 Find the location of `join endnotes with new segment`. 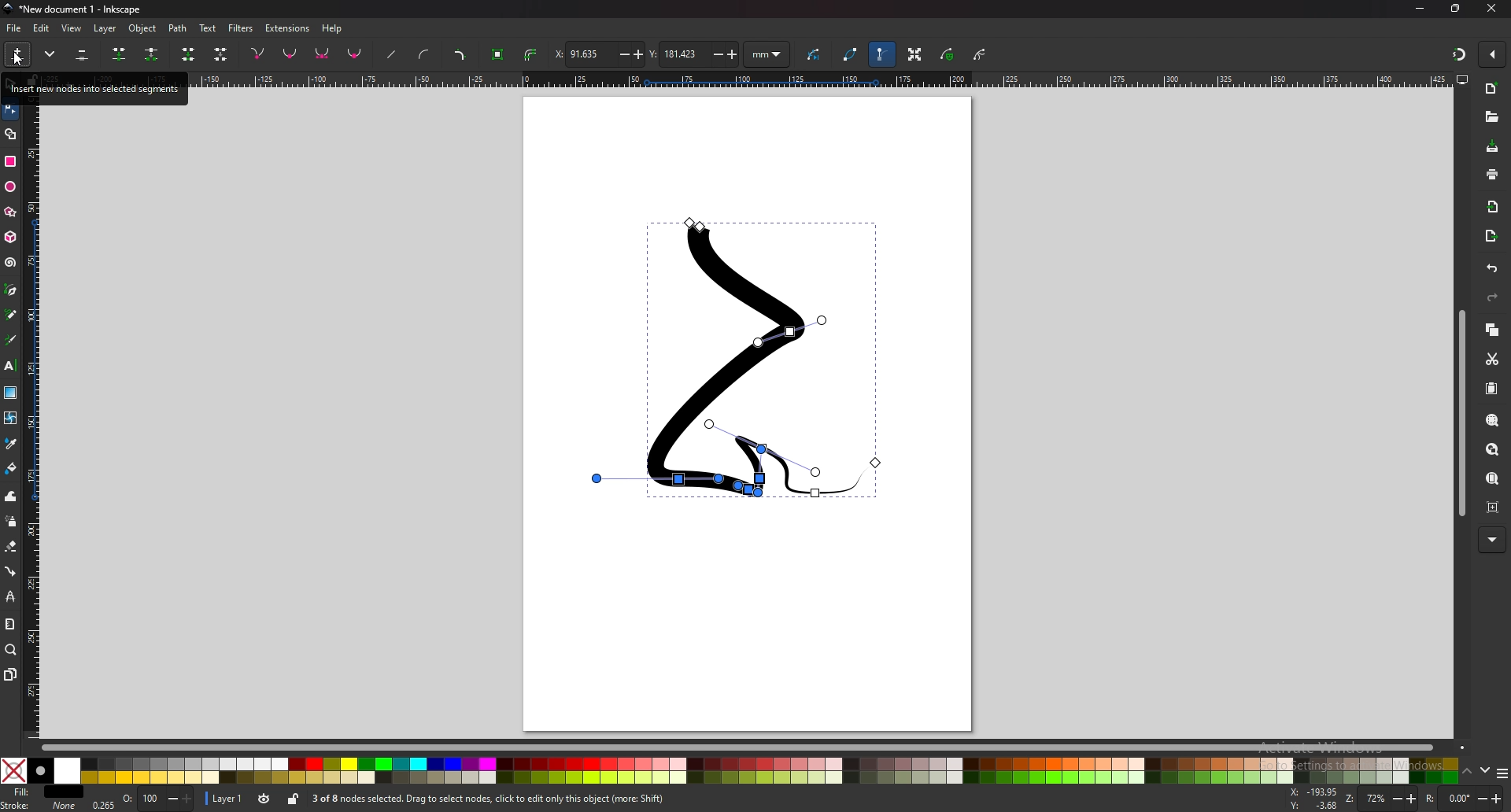

join endnotes with new segment is located at coordinates (189, 55).